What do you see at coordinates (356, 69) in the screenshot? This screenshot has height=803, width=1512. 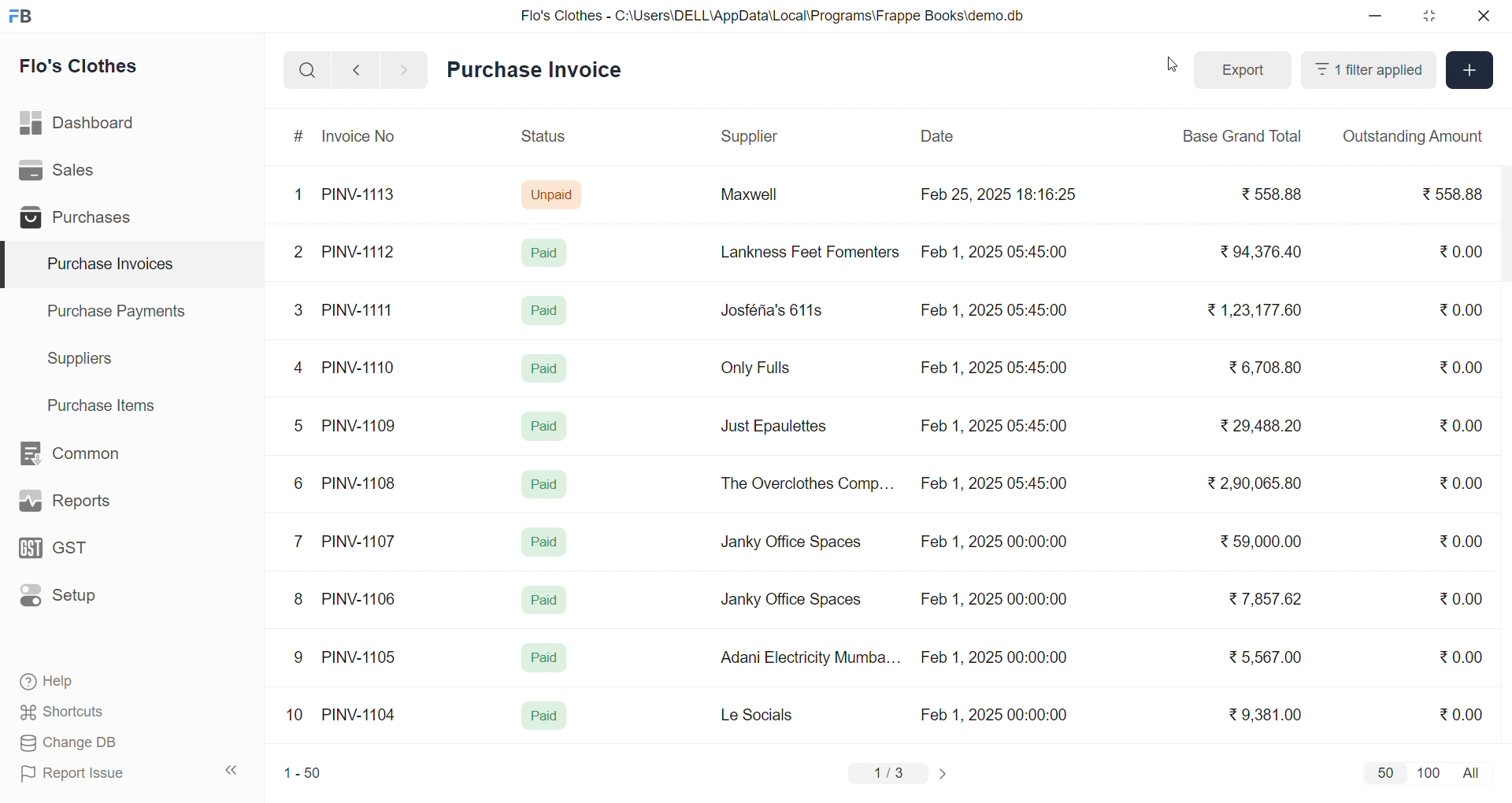 I see `navigate backward` at bounding box center [356, 69].